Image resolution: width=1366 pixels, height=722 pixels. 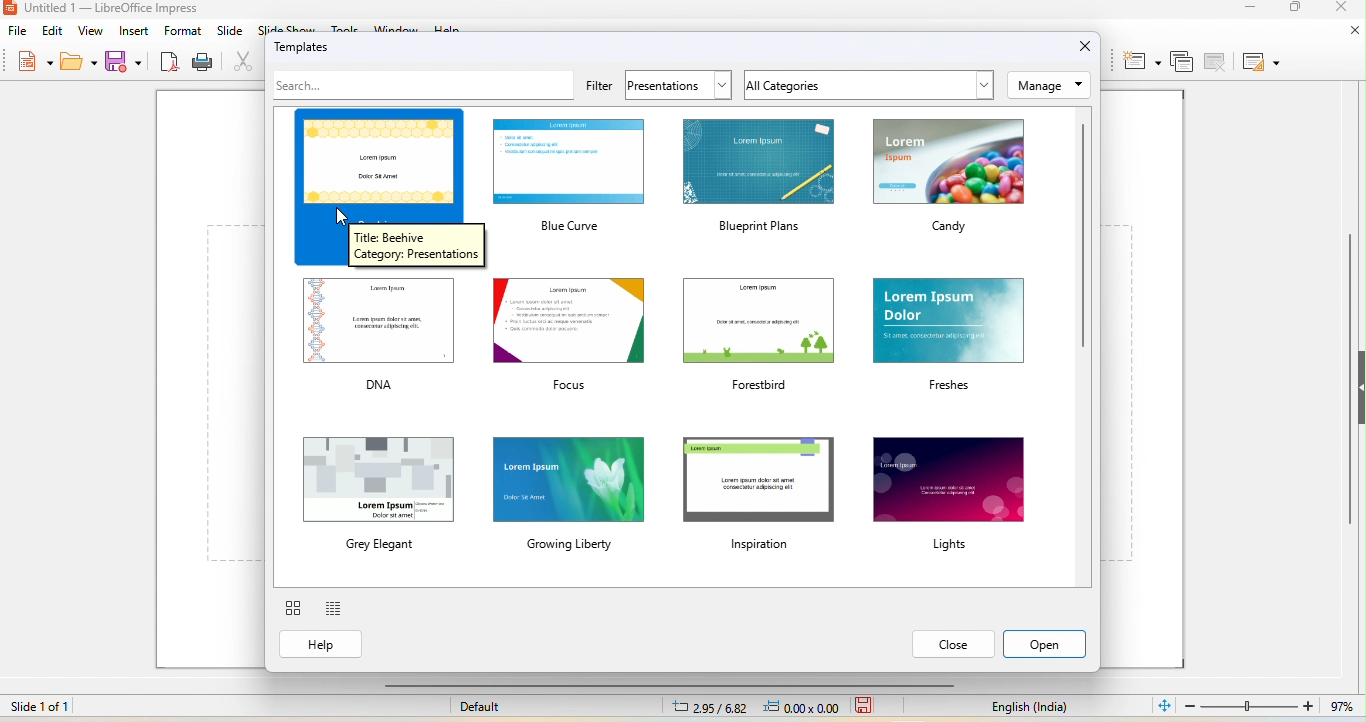 I want to click on all categories, so click(x=869, y=85).